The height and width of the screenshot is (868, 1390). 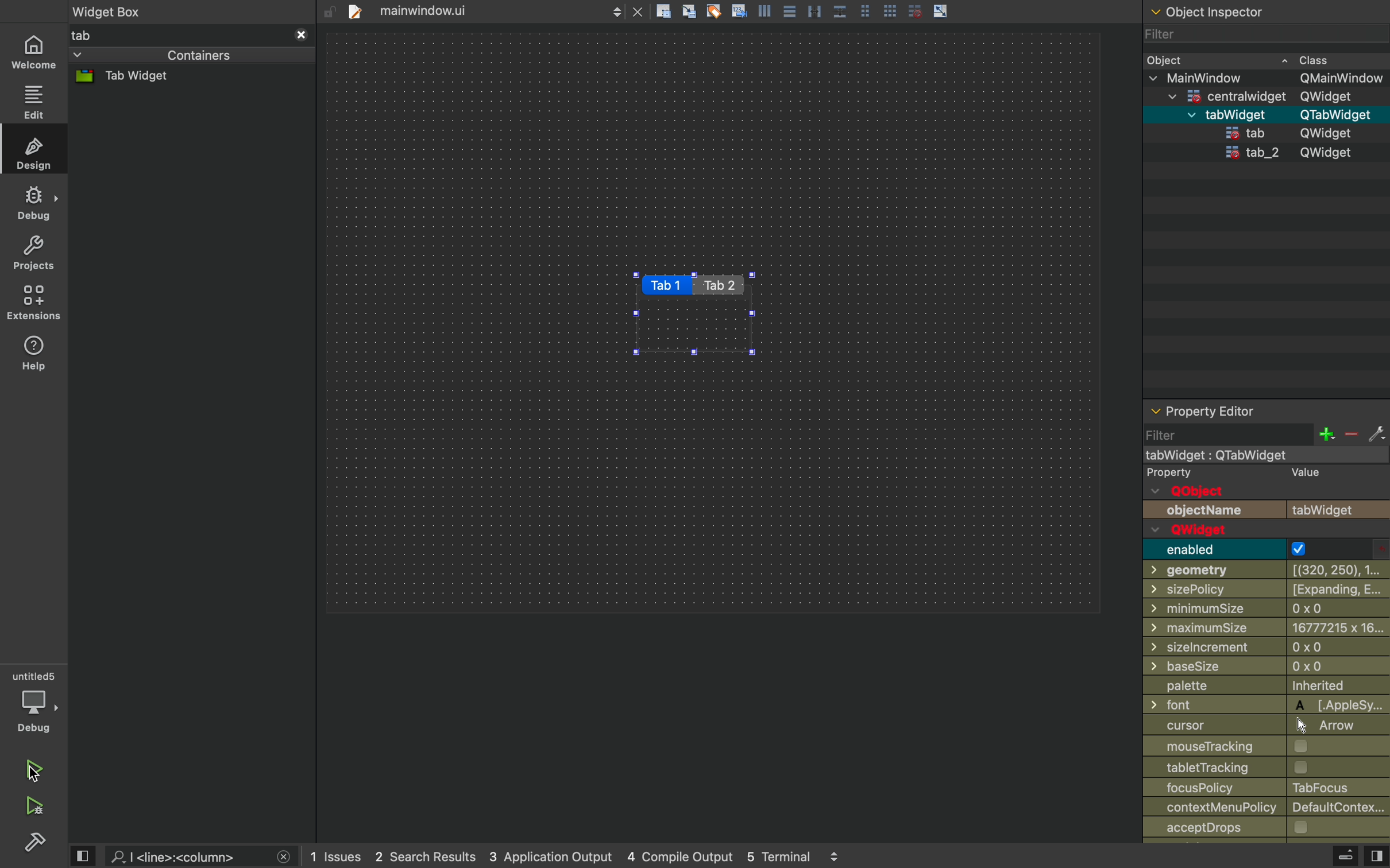 What do you see at coordinates (182, 10) in the screenshot?
I see `widget box` at bounding box center [182, 10].